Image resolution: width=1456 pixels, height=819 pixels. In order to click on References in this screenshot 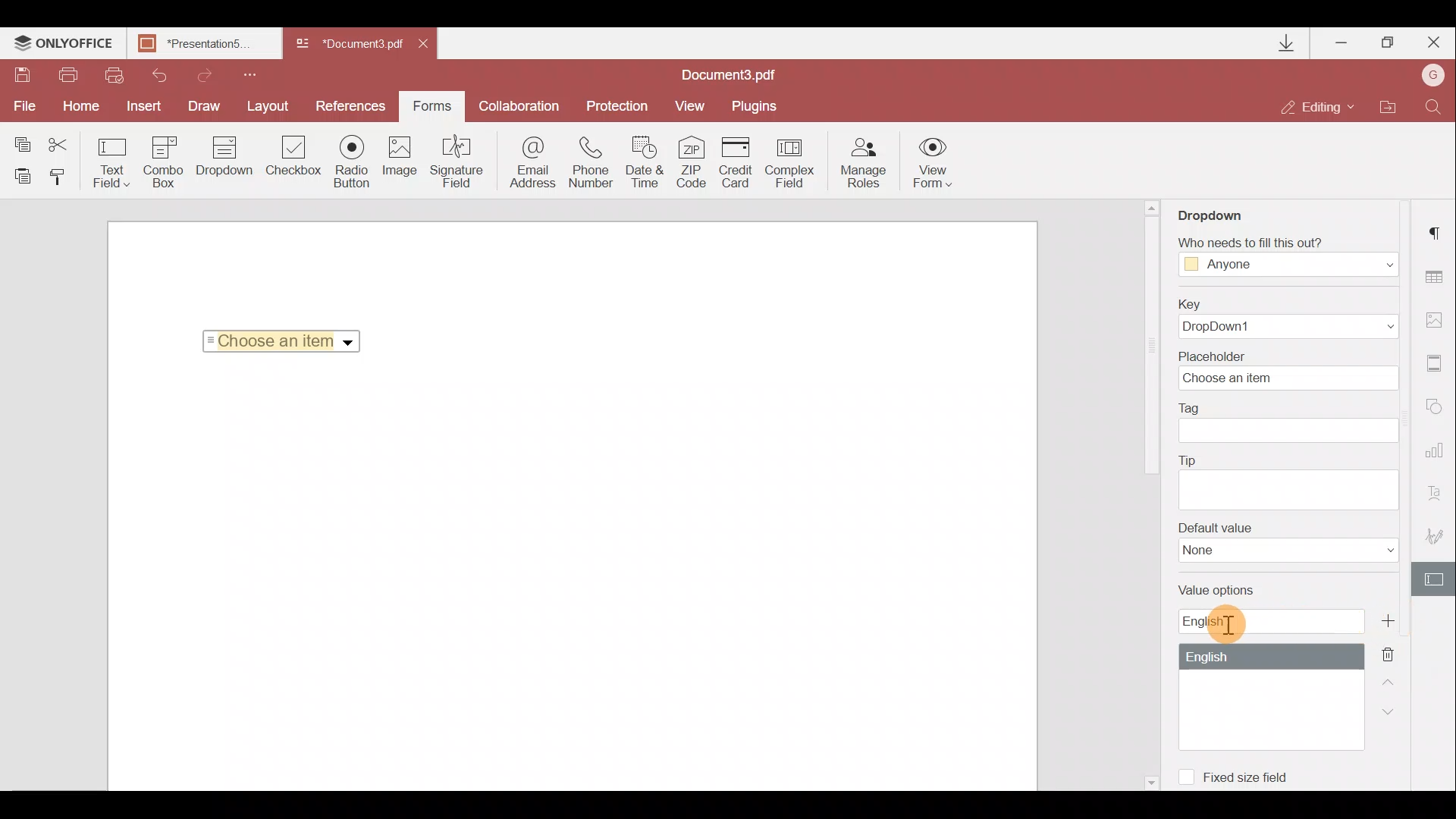, I will do `click(353, 105)`.